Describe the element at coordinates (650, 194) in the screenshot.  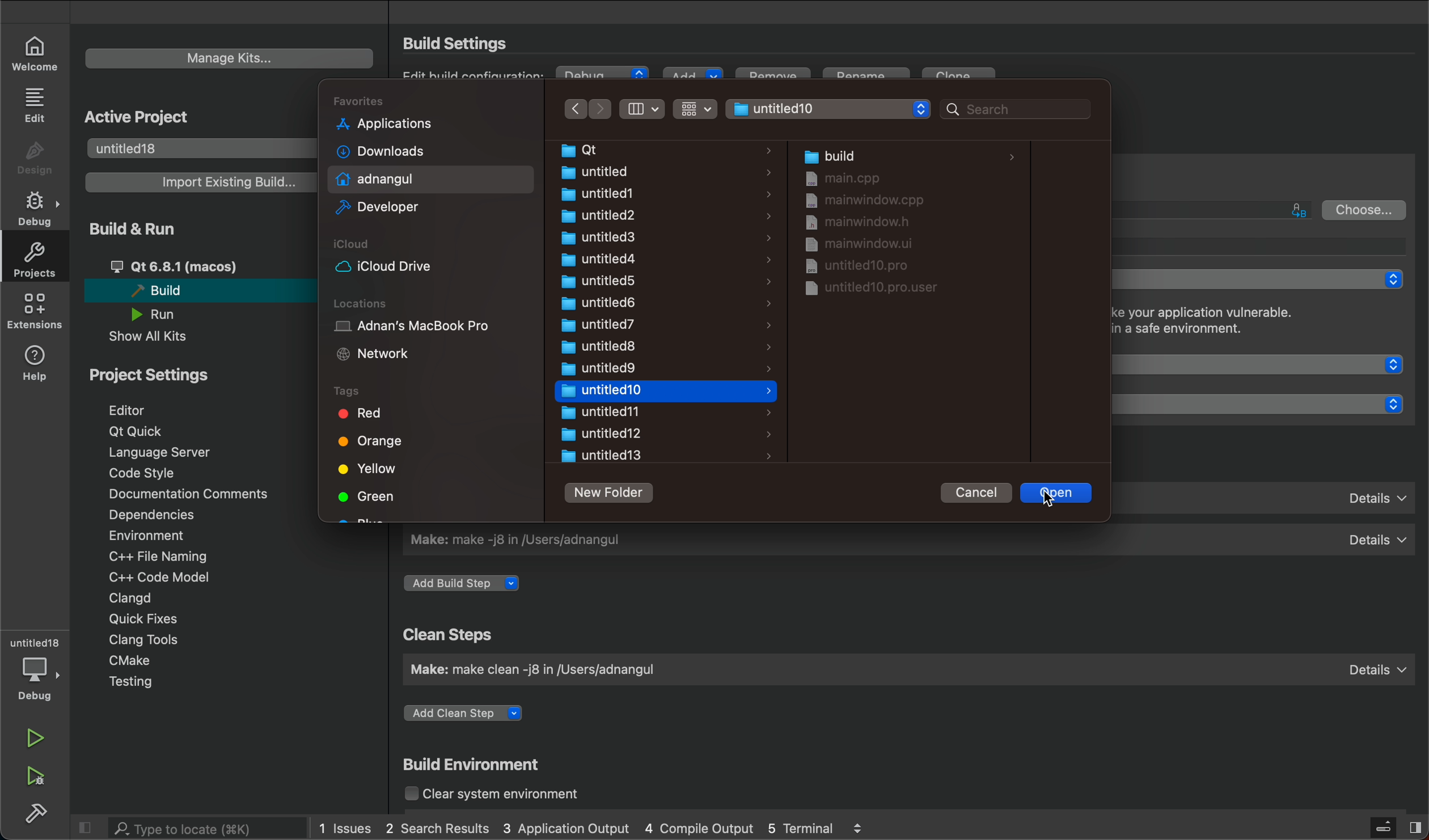
I see `untitled1` at that location.